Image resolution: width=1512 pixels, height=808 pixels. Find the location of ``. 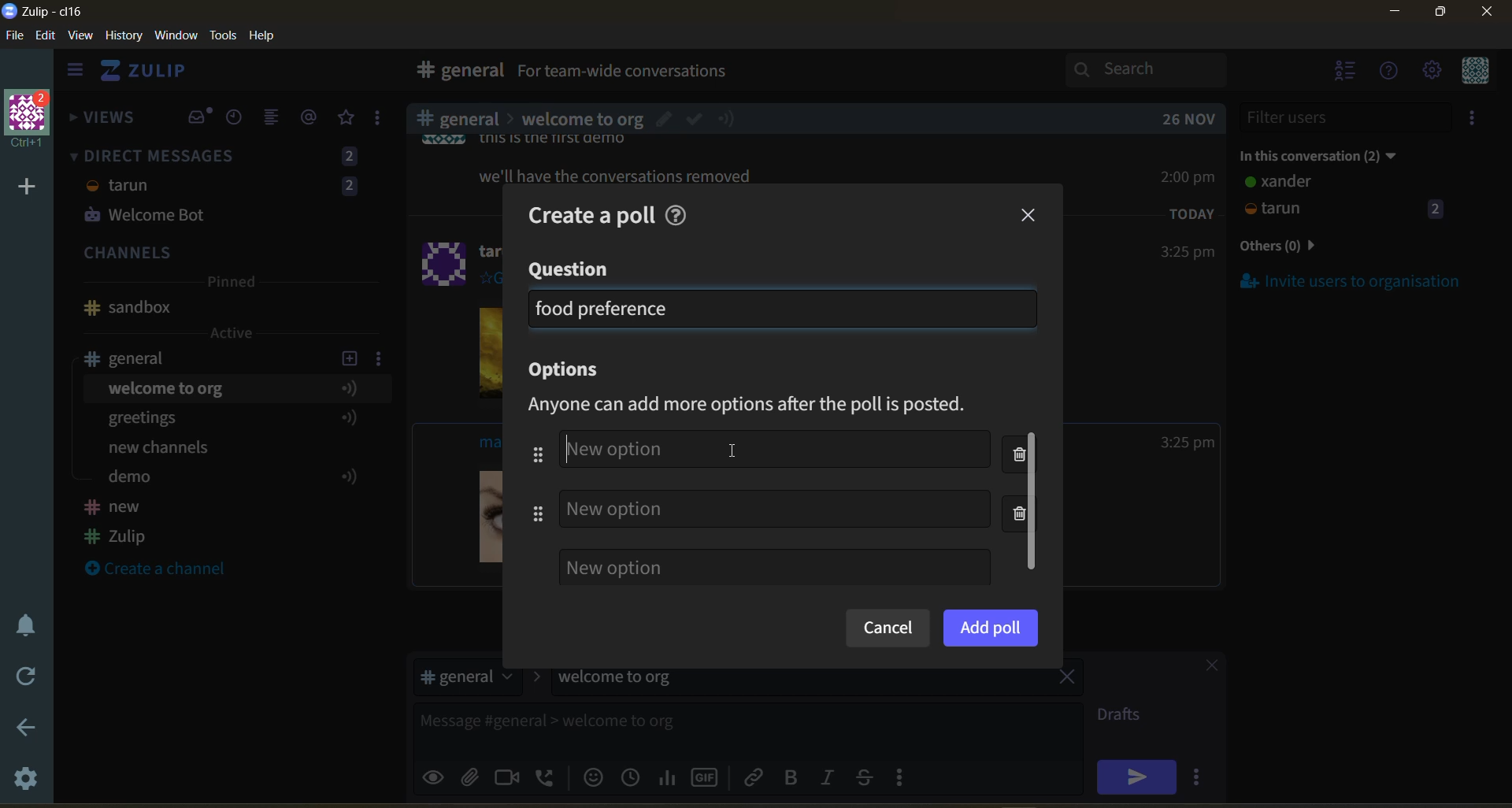

 is located at coordinates (583, 118).